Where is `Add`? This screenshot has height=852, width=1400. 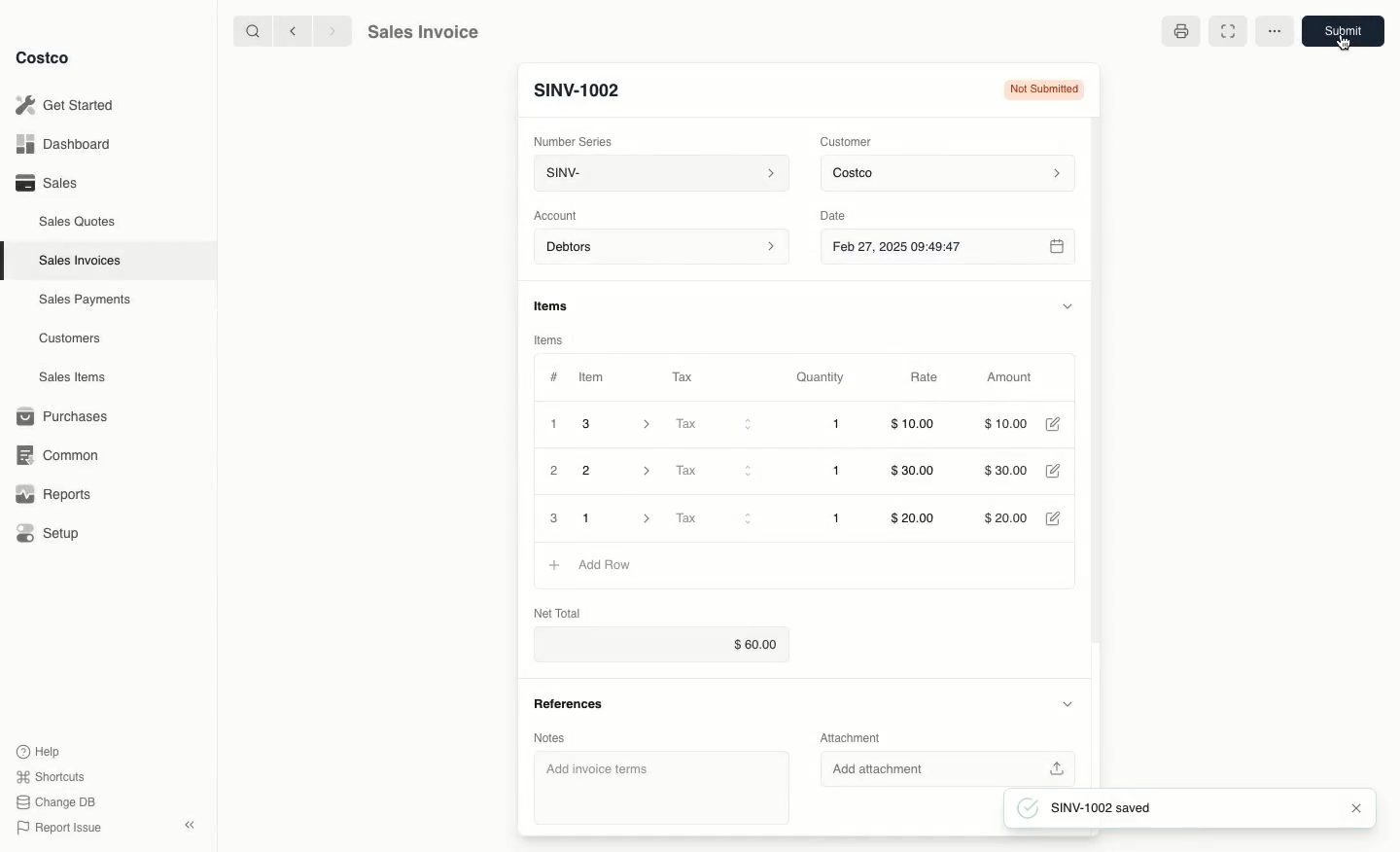
Add is located at coordinates (554, 564).